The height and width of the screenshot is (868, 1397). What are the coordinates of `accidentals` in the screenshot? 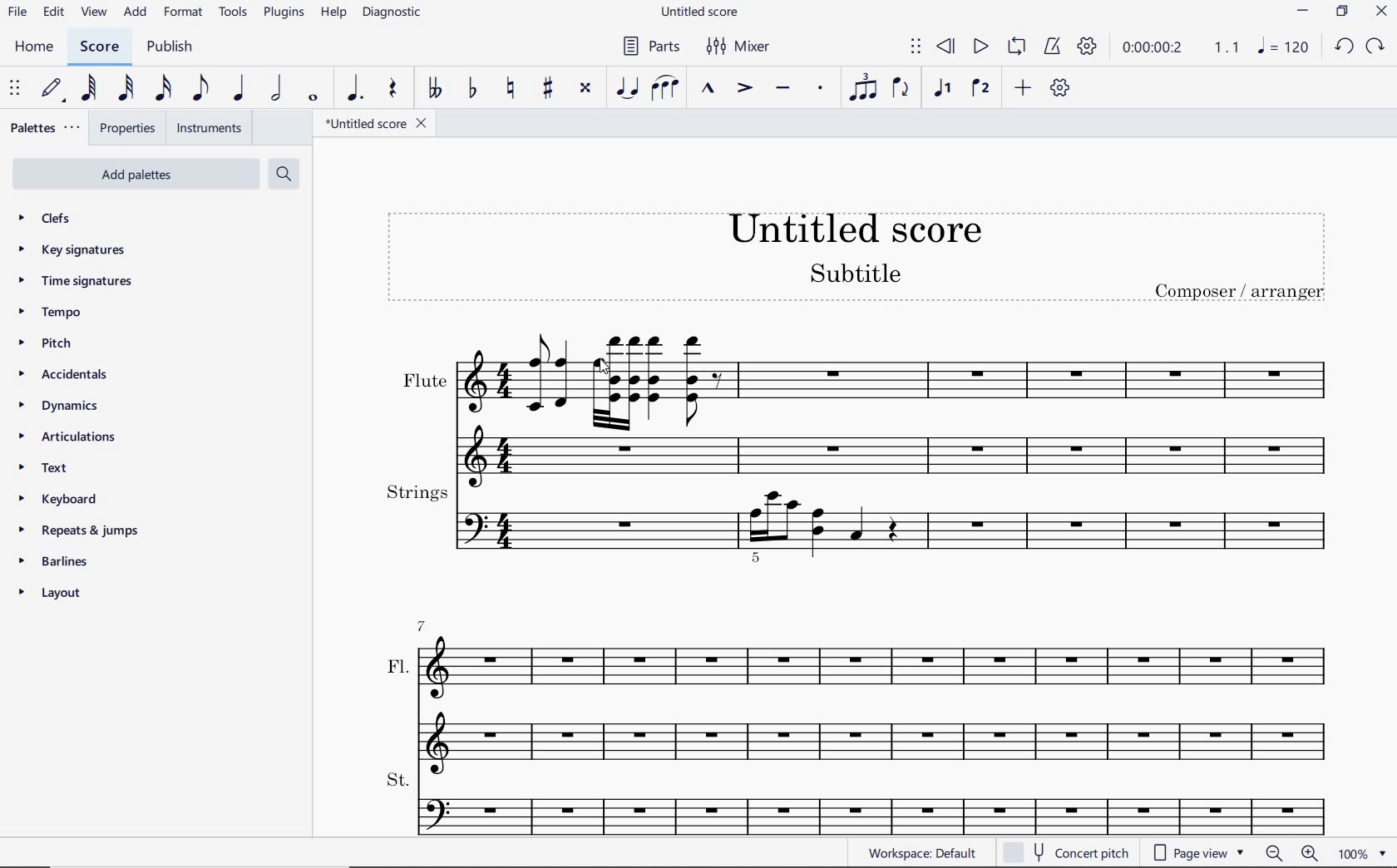 It's located at (74, 372).